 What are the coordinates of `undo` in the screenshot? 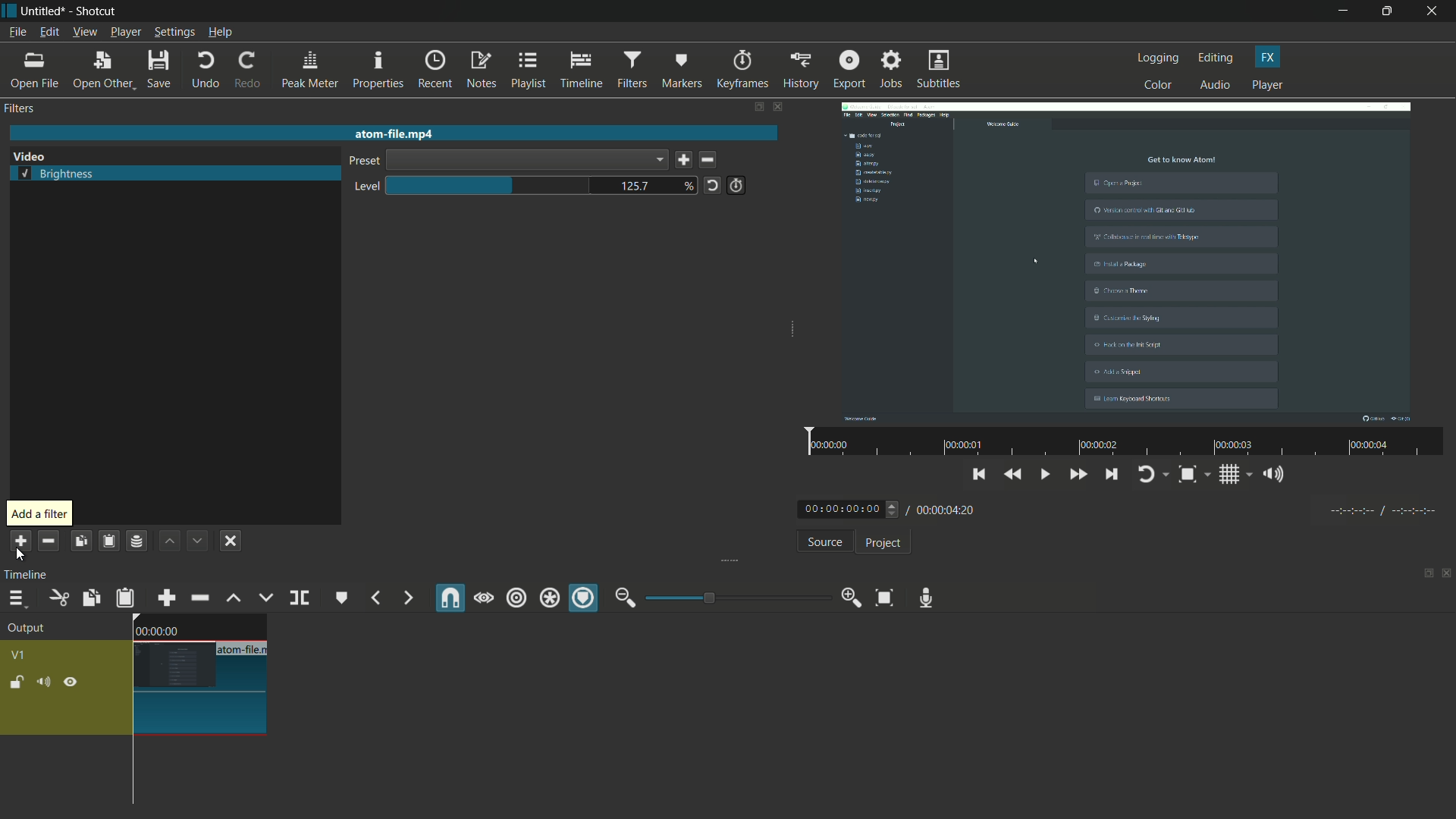 It's located at (205, 70).